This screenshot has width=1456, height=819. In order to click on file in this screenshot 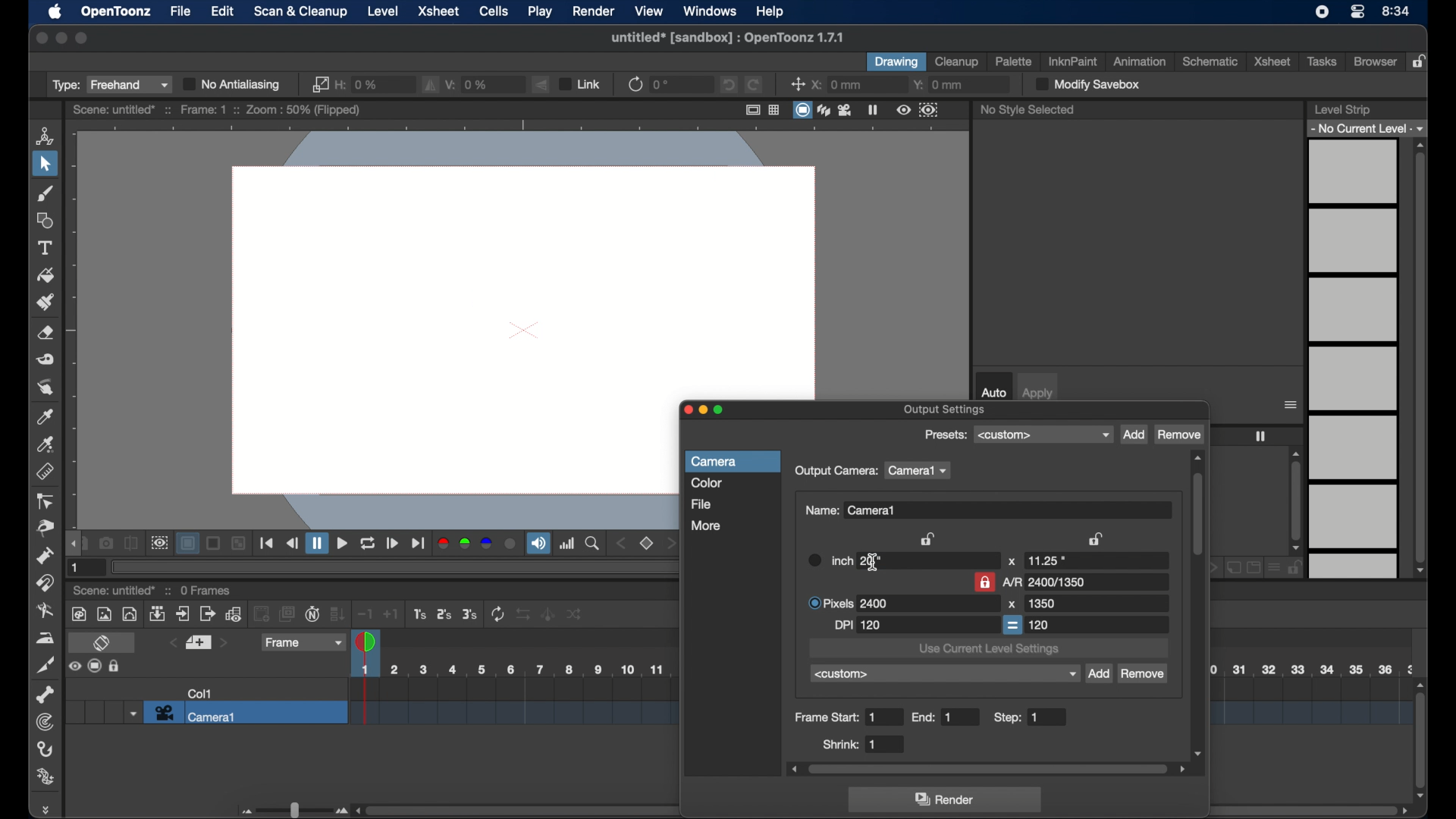, I will do `click(181, 11)`.